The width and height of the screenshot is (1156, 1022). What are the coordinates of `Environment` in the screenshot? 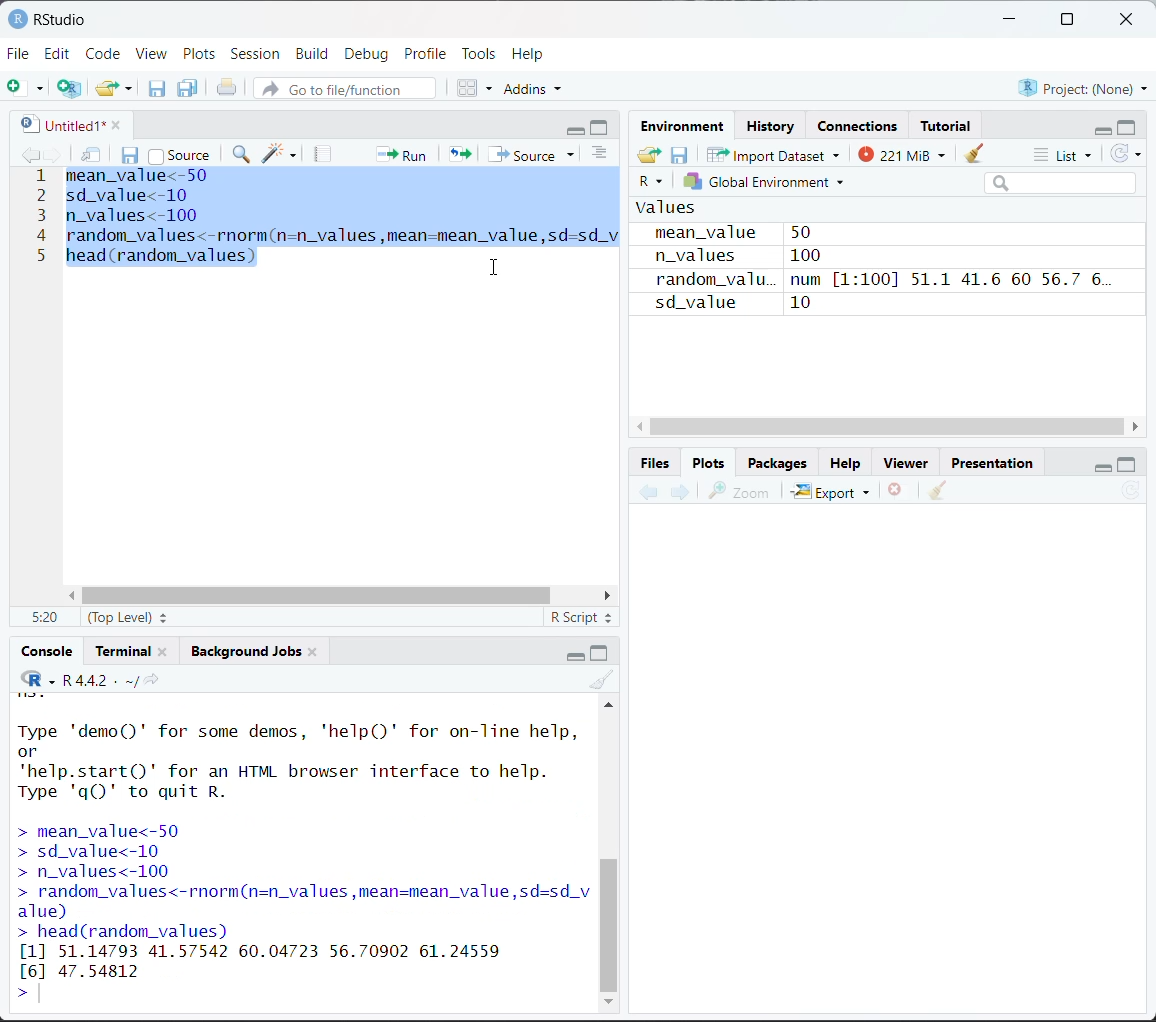 It's located at (686, 127).